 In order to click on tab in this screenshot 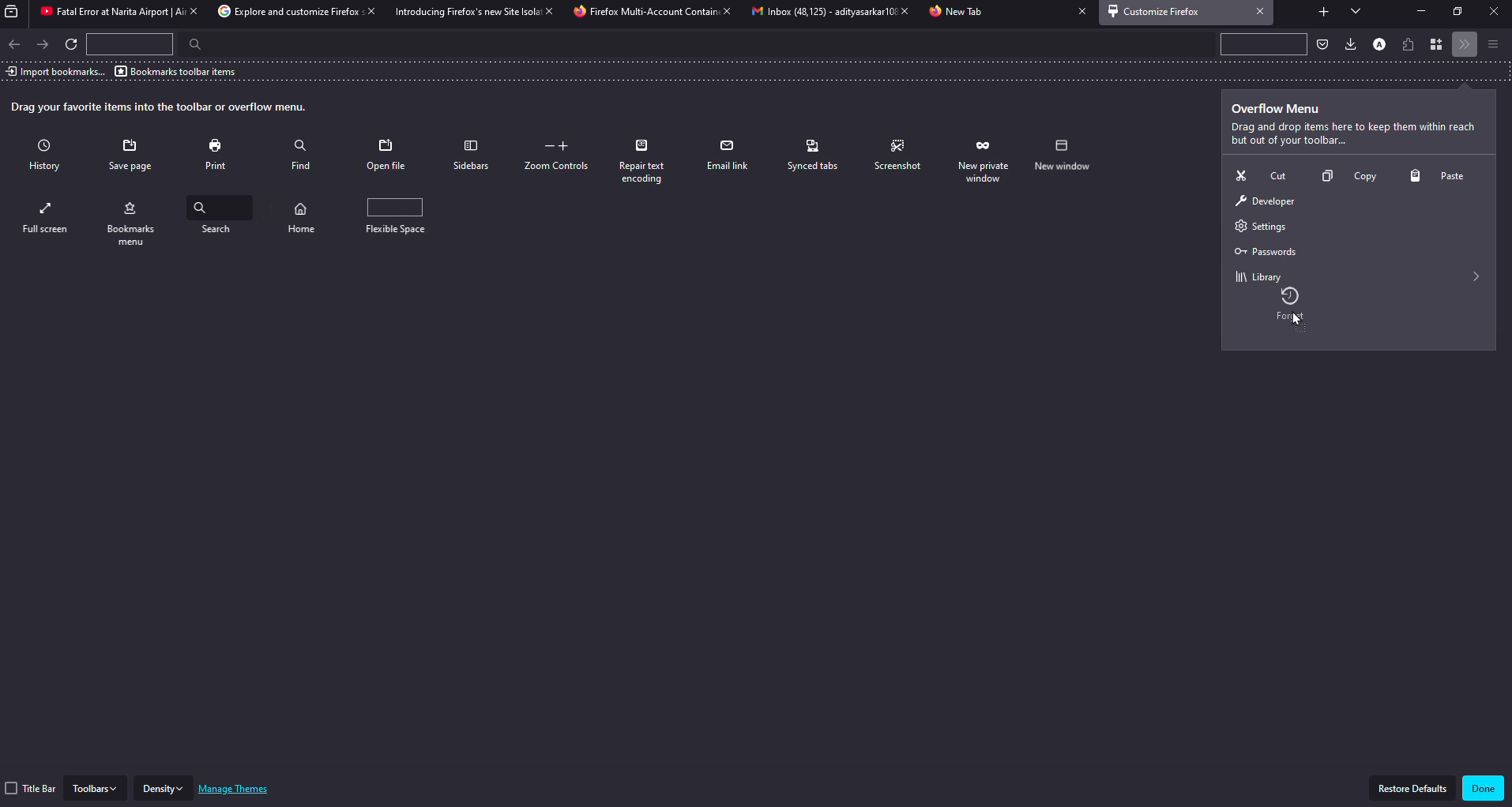, I will do `click(280, 12)`.